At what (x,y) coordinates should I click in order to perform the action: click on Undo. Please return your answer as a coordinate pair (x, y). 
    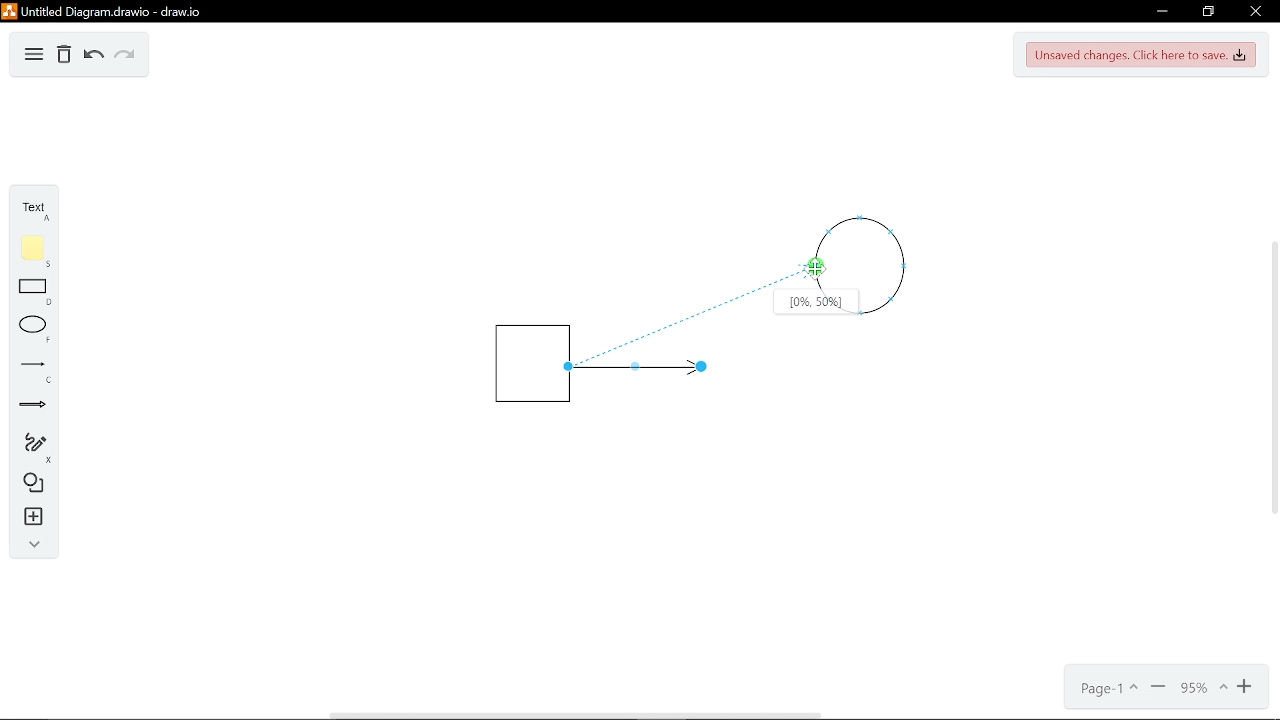
    Looking at the image, I should click on (93, 55).